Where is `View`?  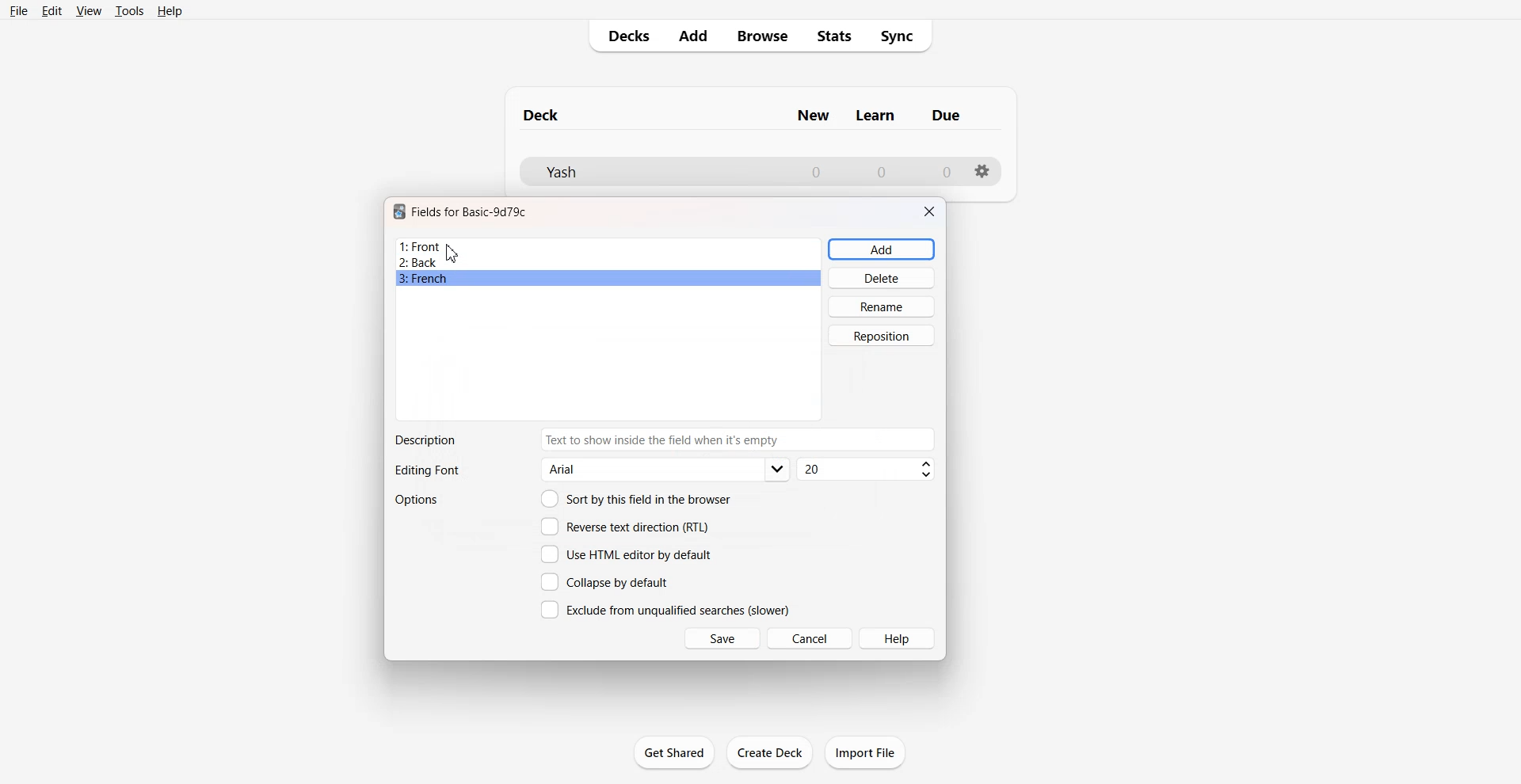 View is located at coordinates (90, 10).